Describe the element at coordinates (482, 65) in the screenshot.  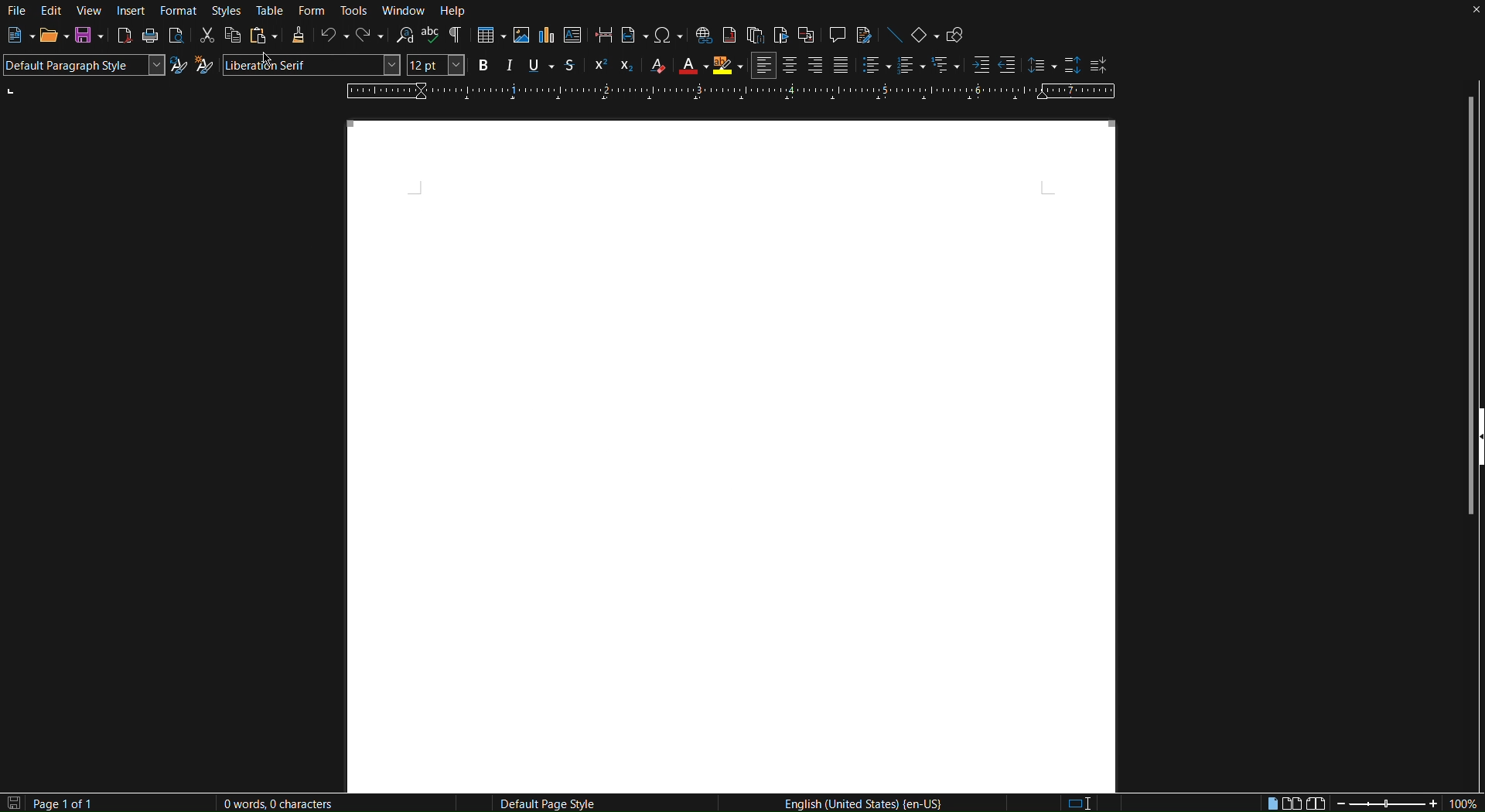
I see `Bold` at that location.